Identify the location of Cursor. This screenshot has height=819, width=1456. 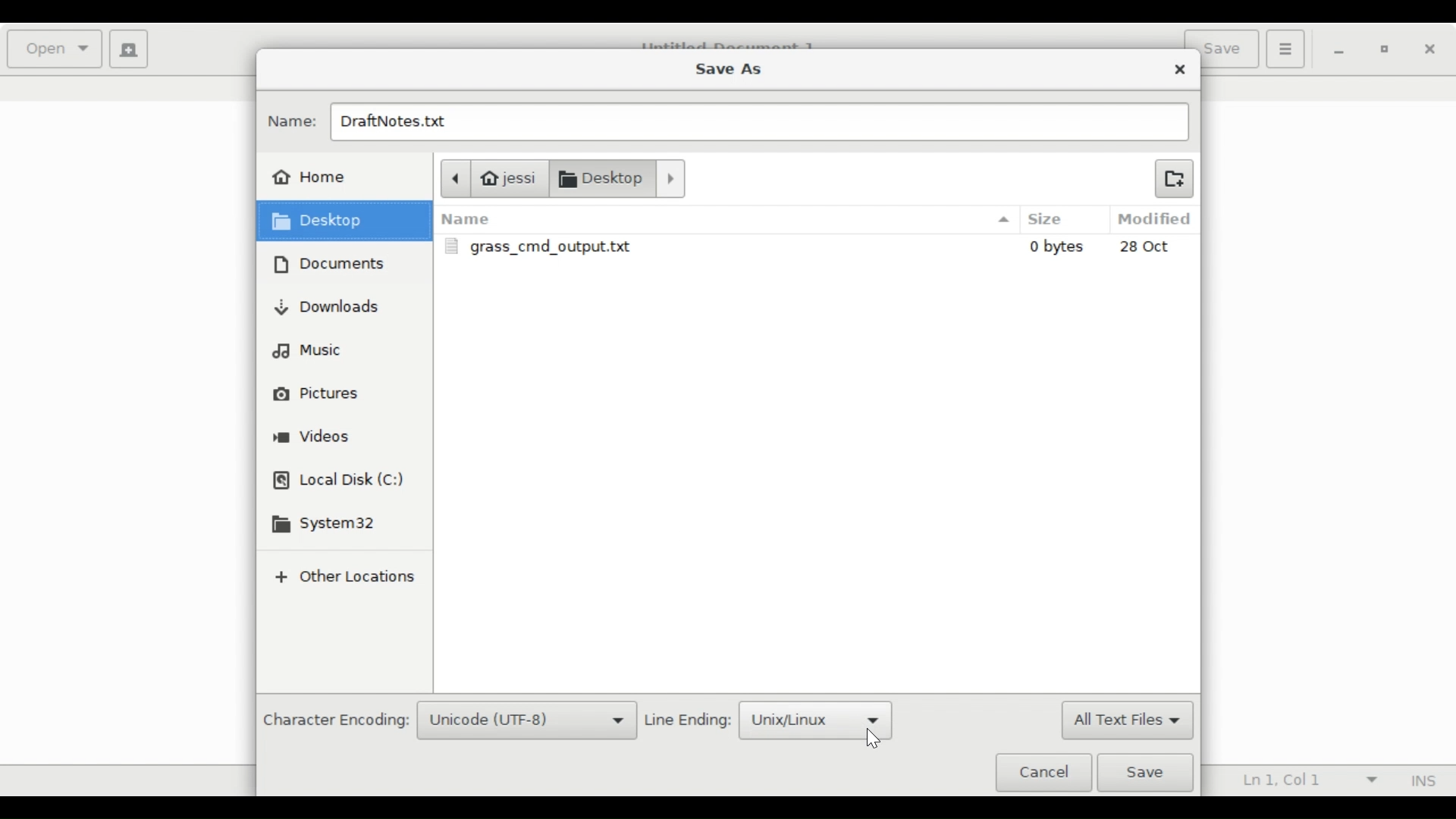
(868, 739).